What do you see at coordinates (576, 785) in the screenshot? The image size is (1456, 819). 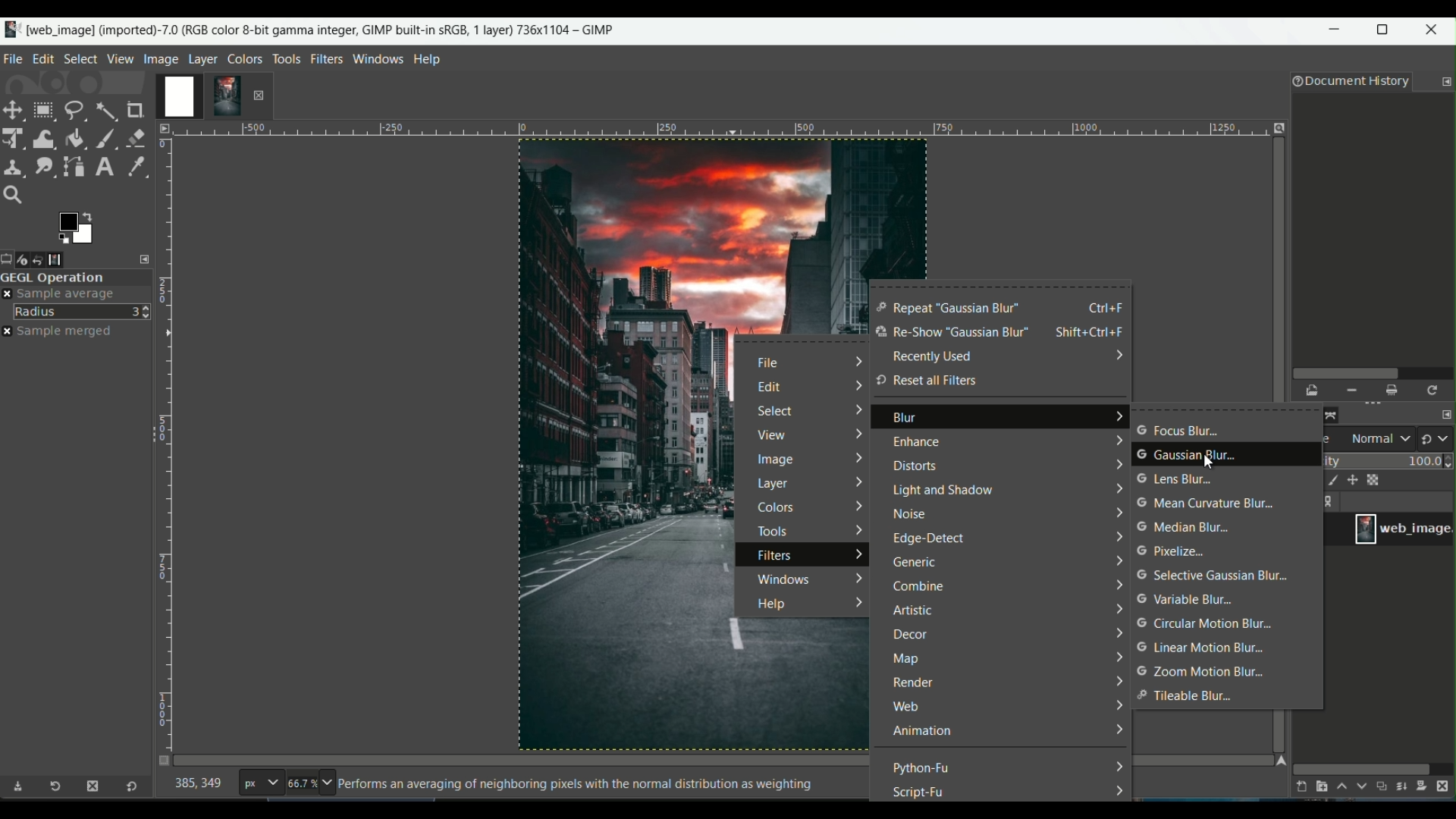 I see `description` at bounding box center [576, 785].